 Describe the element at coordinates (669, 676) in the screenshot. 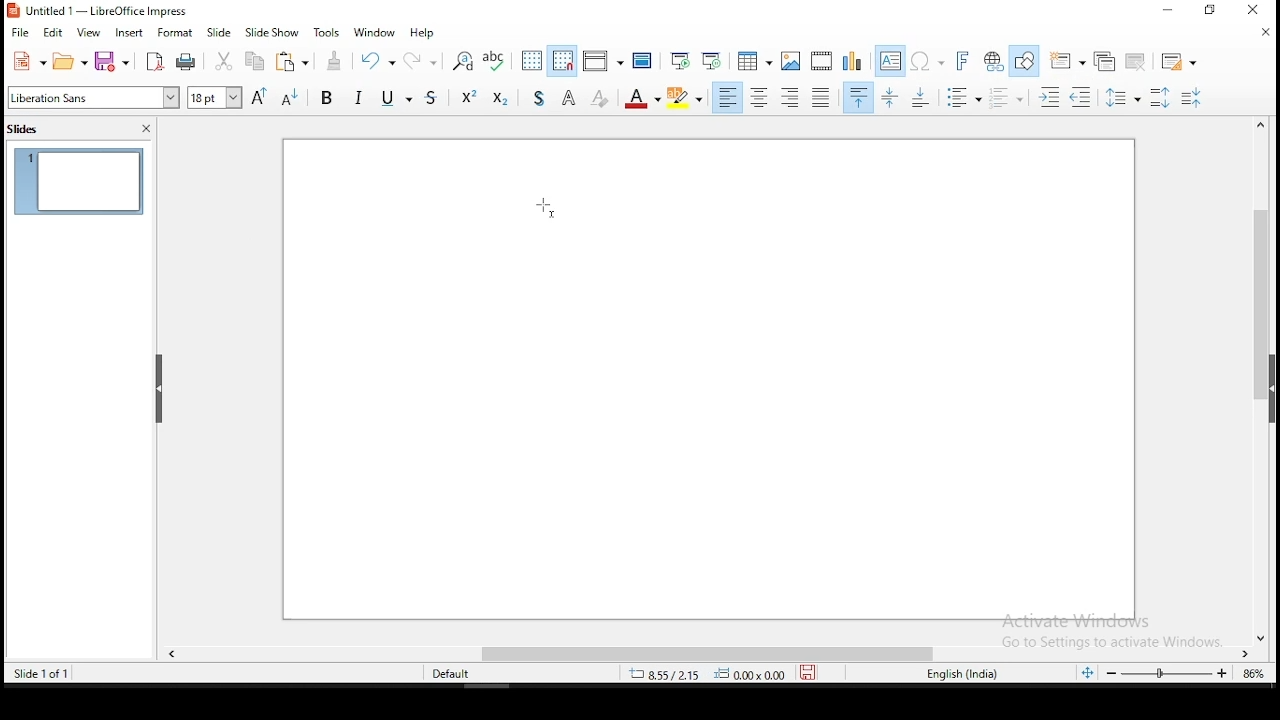

I see `20.49/-0.77` at that location.